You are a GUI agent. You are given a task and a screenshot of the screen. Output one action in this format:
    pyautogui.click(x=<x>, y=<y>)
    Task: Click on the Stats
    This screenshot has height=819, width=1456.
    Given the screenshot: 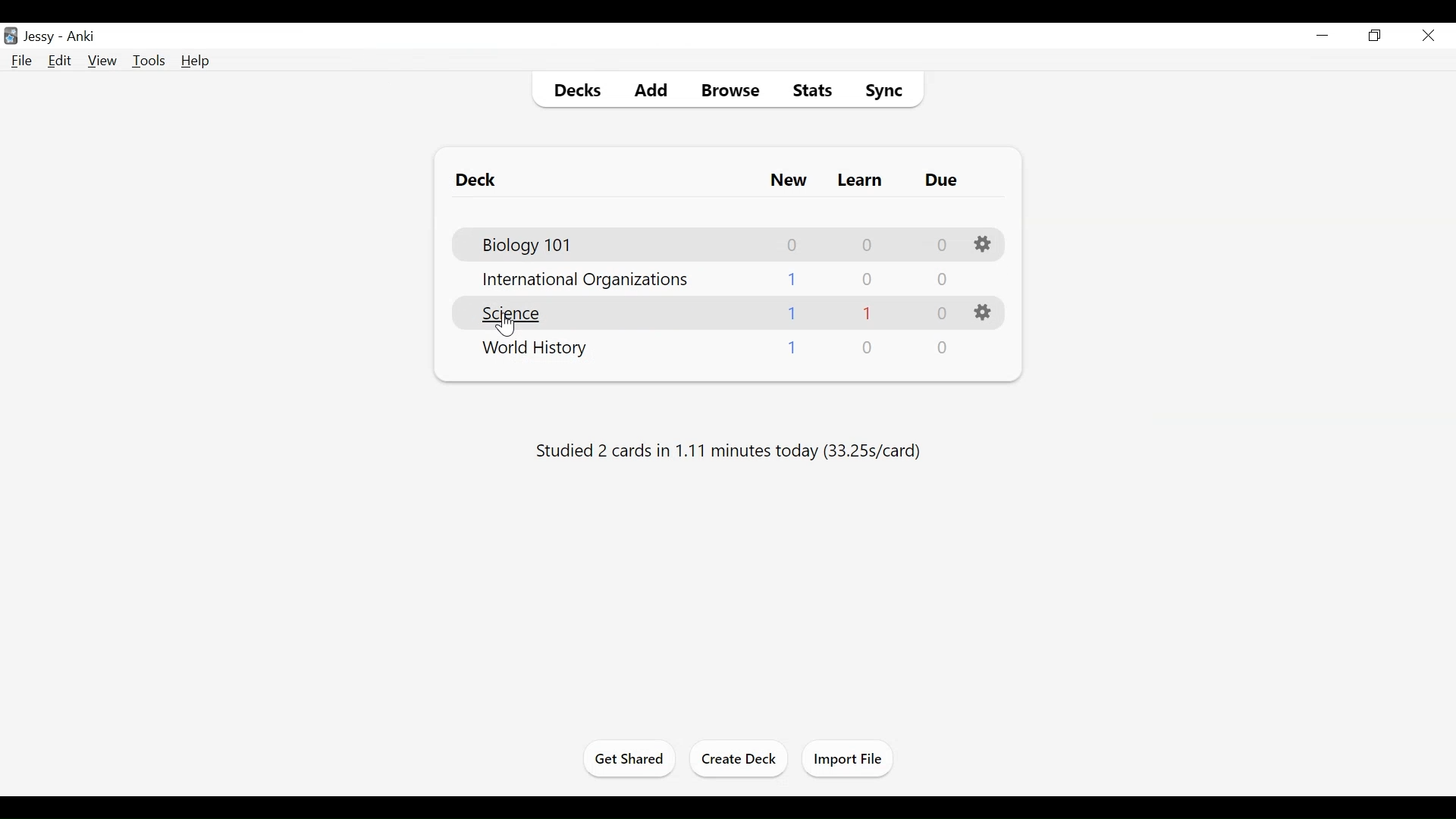 What is the action you would take?
    pyautogui.click(x=814, y=90)
    